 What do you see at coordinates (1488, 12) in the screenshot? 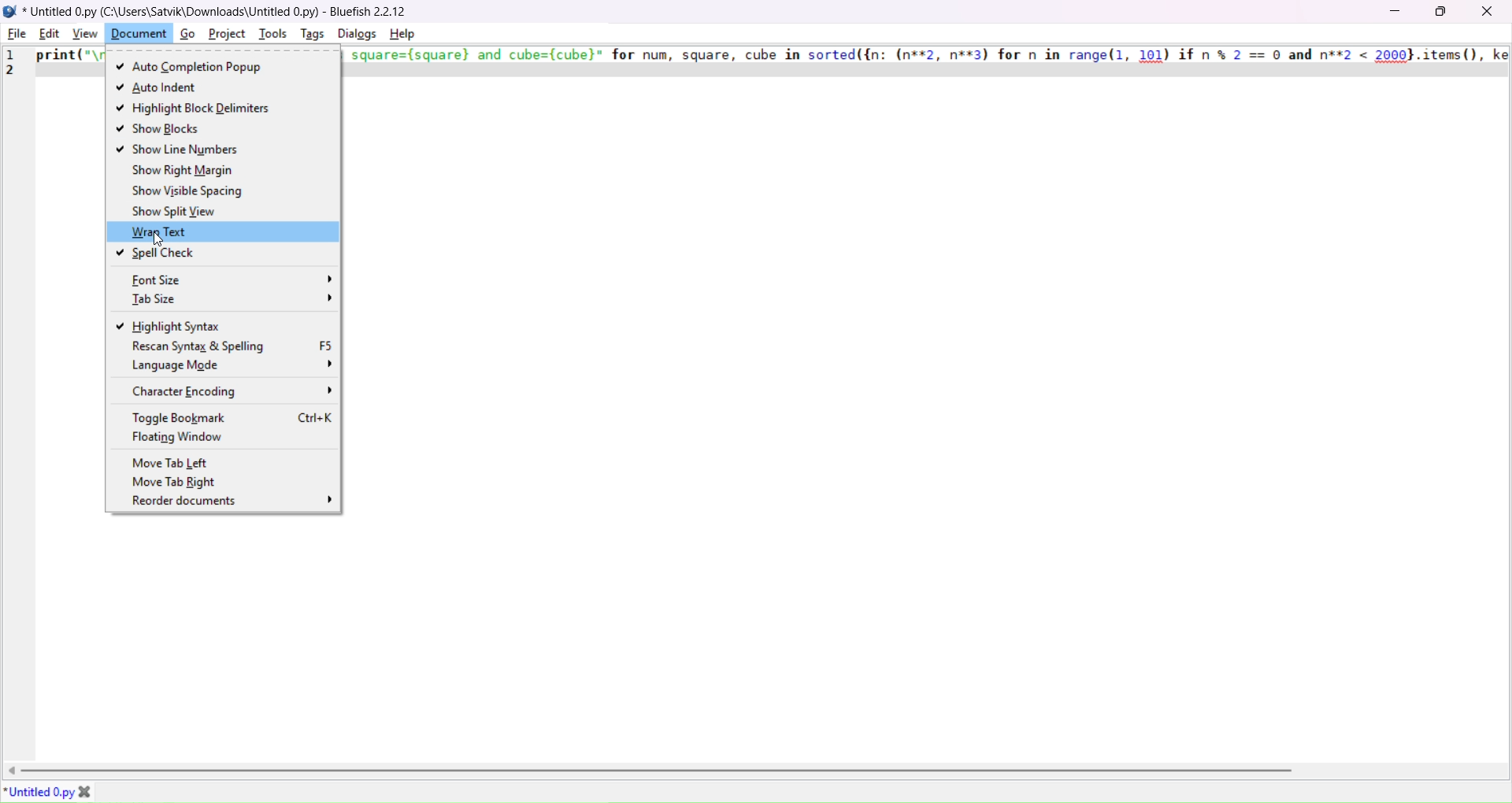
I see `close` at bounding box center [1488, 12].